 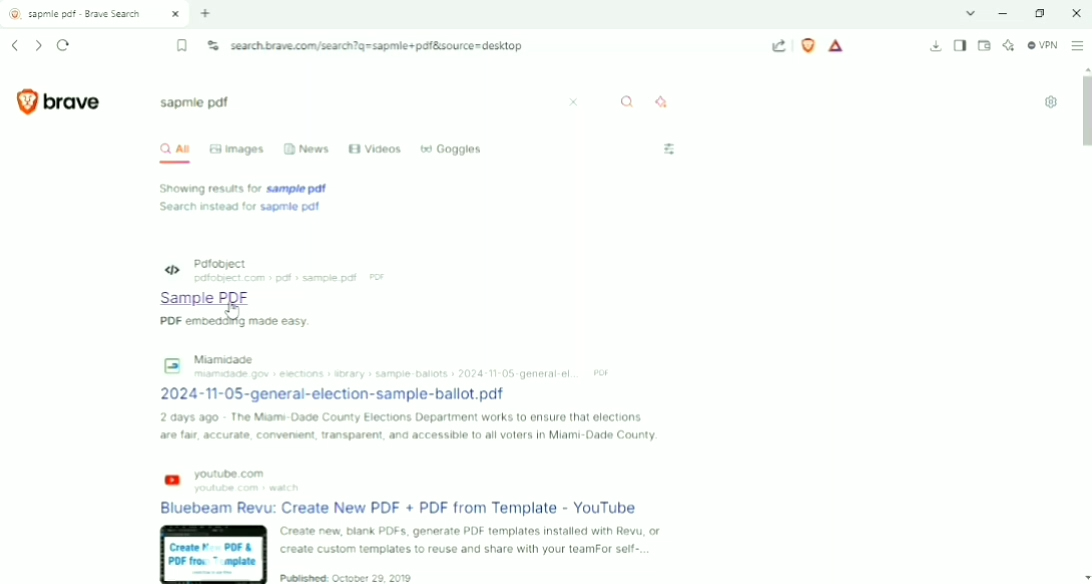 What do you see at coordinates (405, 373) in the screenshot?
I see `miamidade.gov > elections > library > sample-ballots > 2024-11-05 general-el.....pdf` at bounding box center [405, 373].